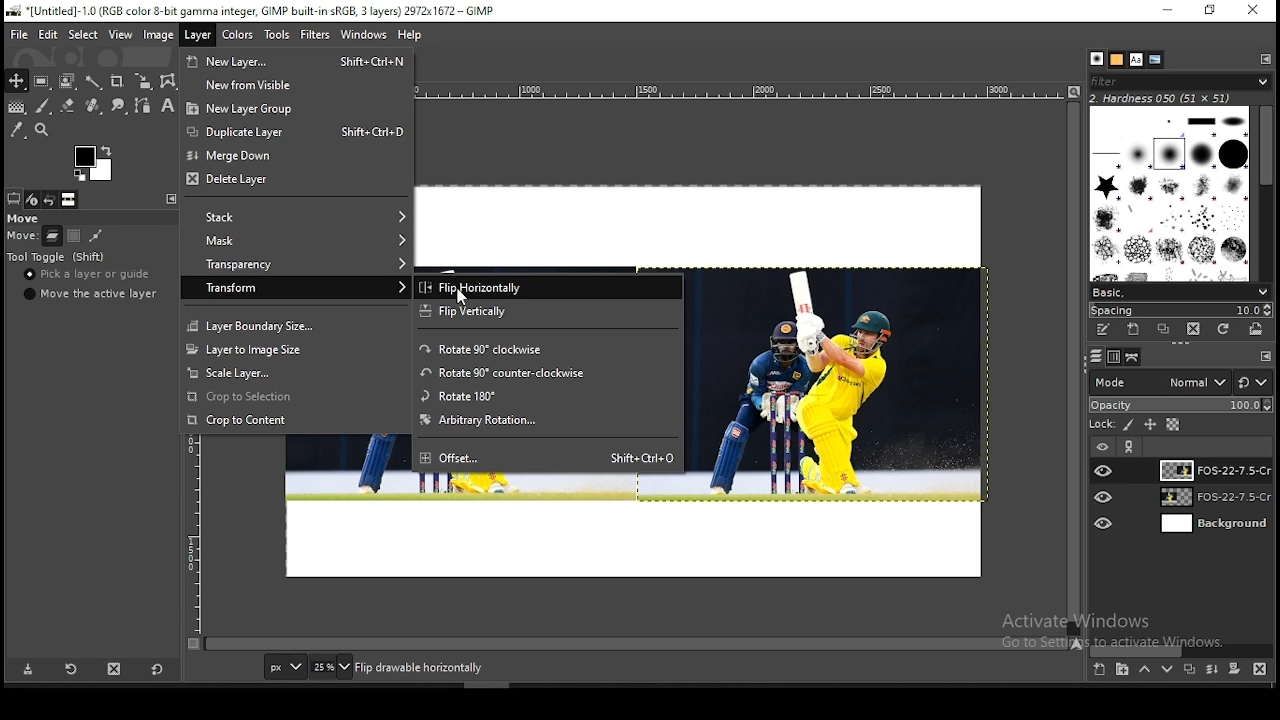  What do you see at coordinates (487, 668) in the screenshot?
I see `text` at bounding box center [487, 668].